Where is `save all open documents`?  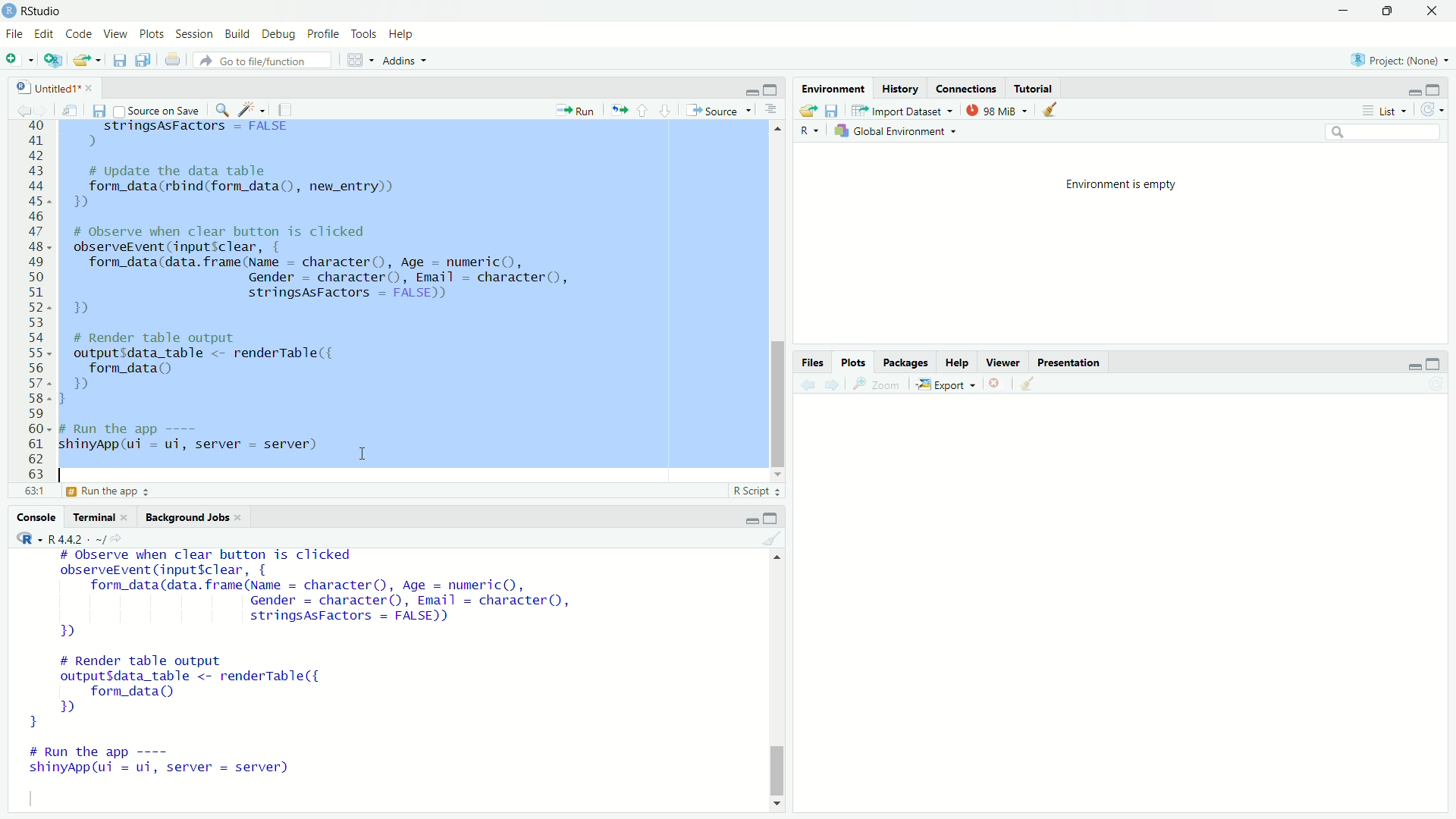
save all open documents is located at coordinates (143, 60).